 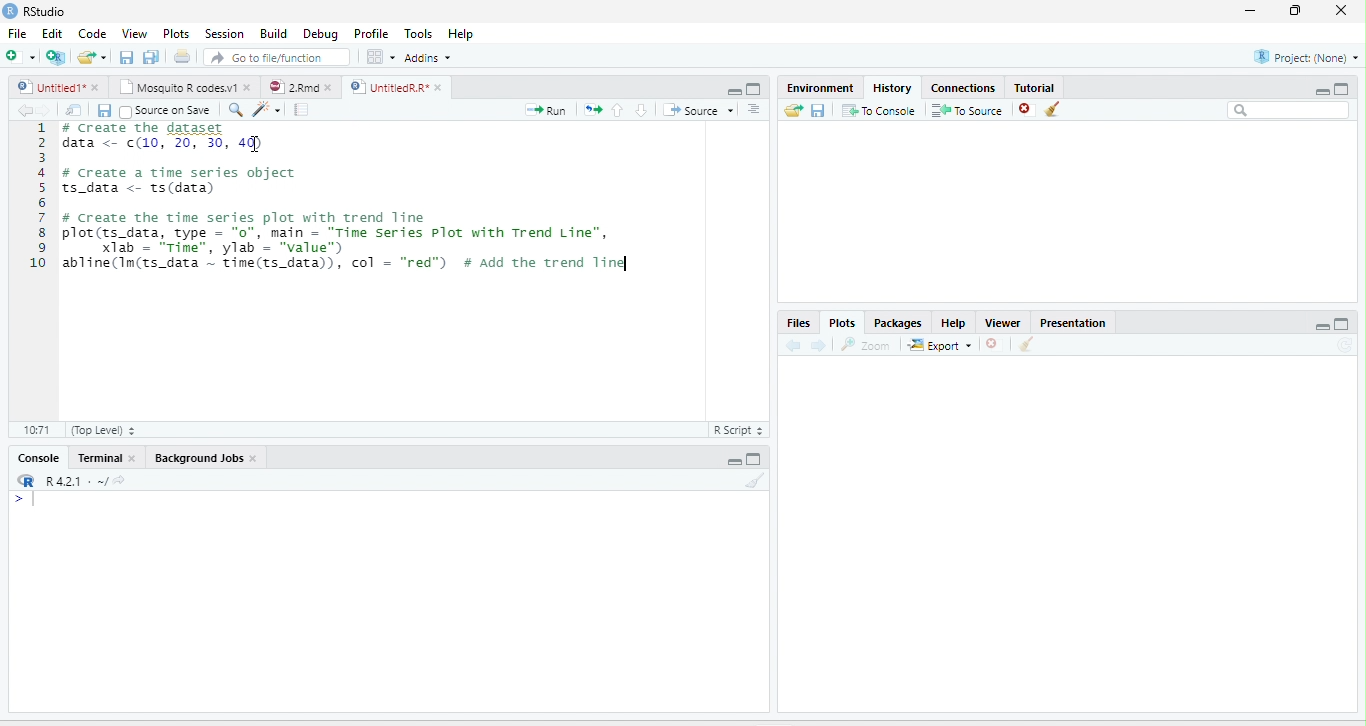 What do you see at coordinates (329, 87) in the screenshot?
I see `close` at bounding box center [329, 87].